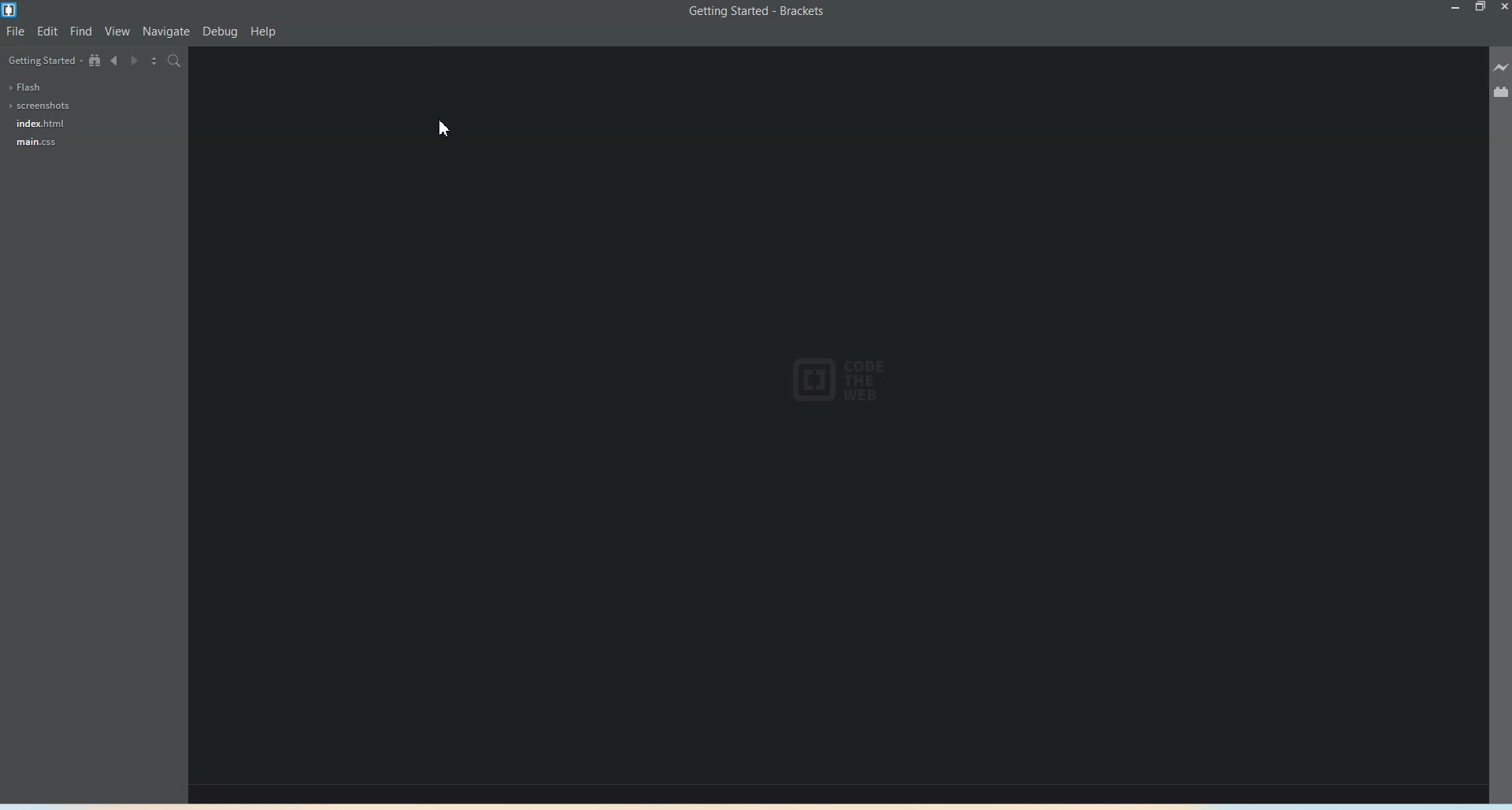  What do you see at coordinates (136, 61) in the screenshot?
I see `Navigate Forwards` at bounding box center [136, 61].